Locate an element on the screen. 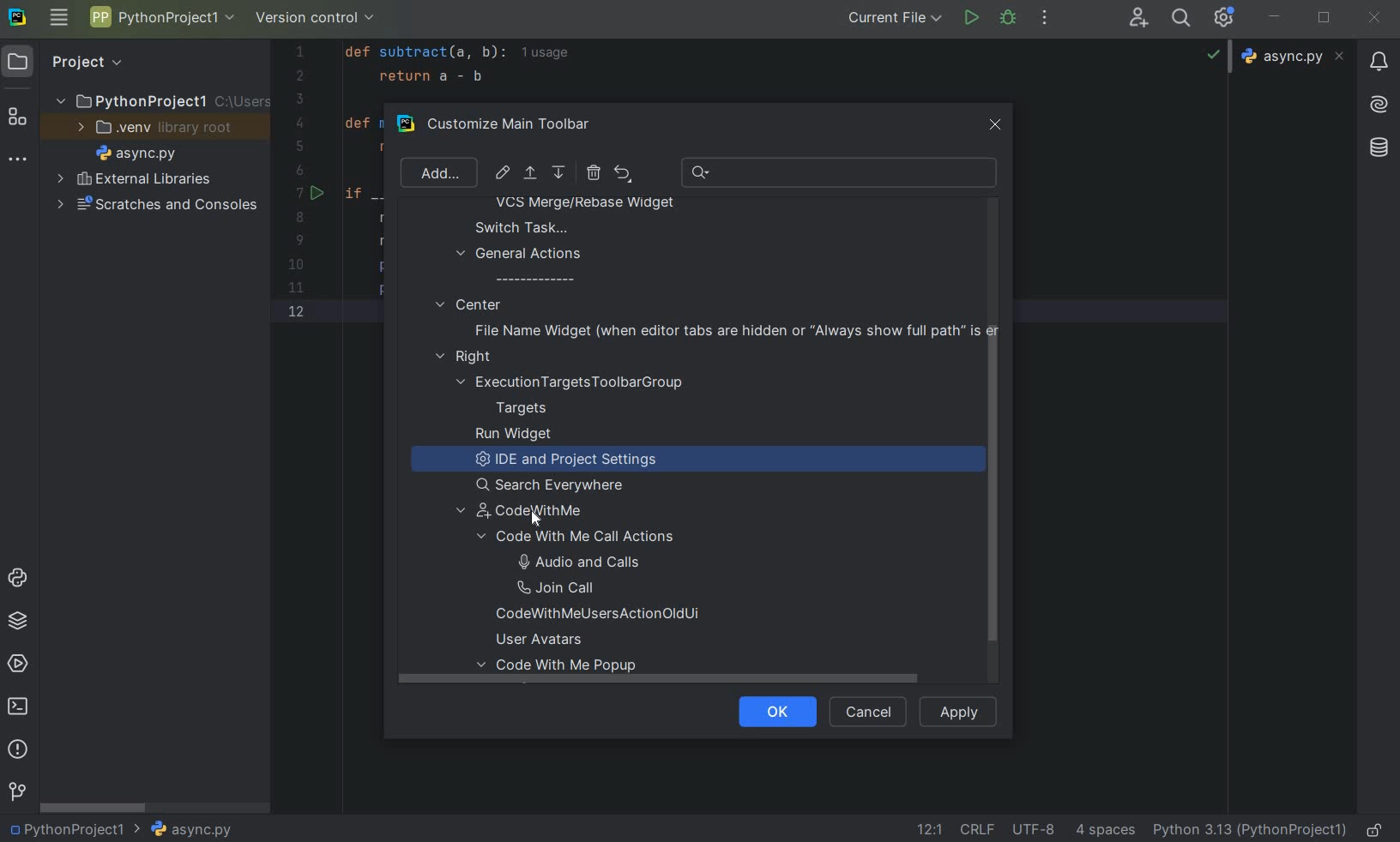  VERSION CONTROL is located at coordinates (316, 21).